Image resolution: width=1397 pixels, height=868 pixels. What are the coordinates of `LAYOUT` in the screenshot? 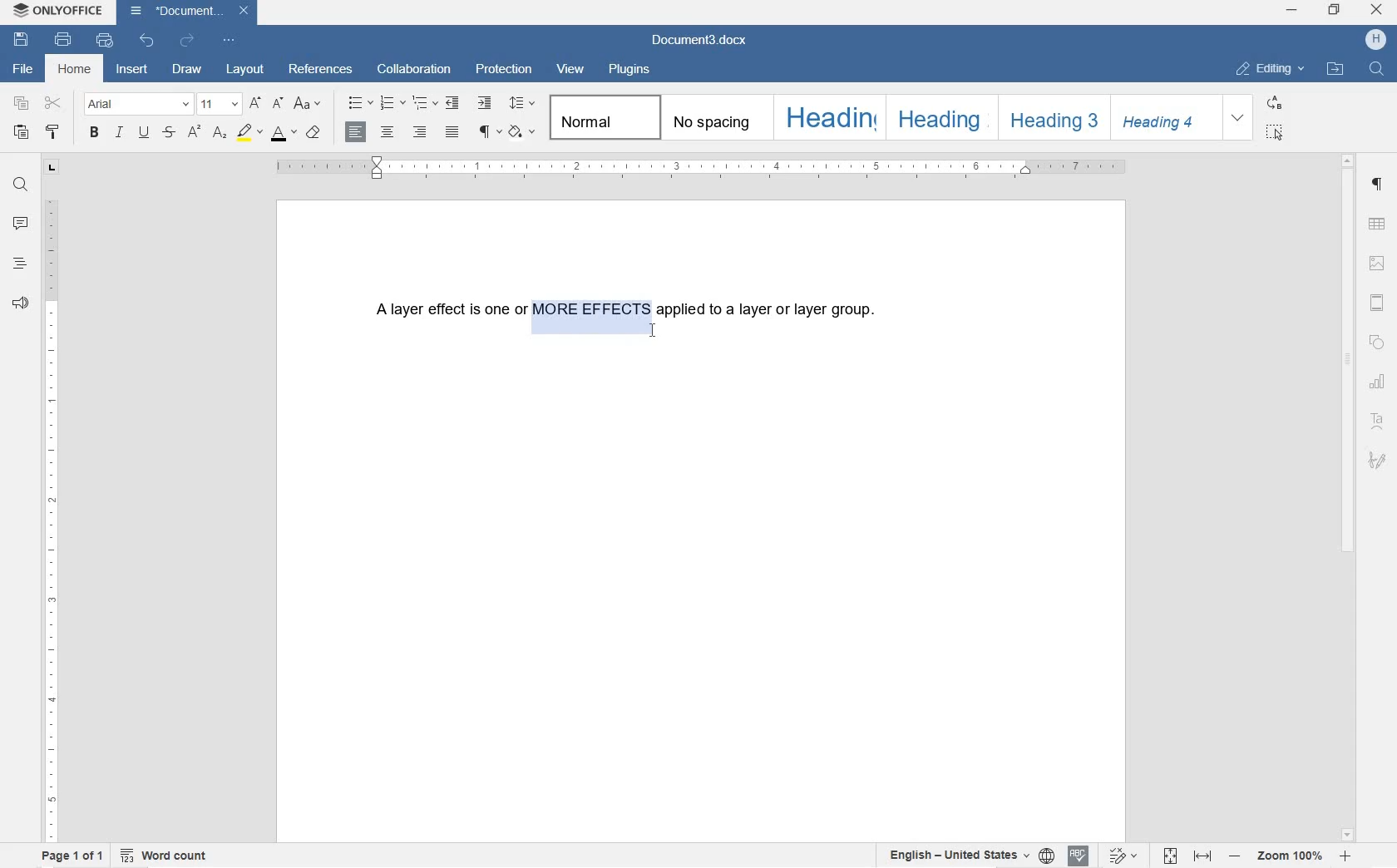 It's located at (245, 68).